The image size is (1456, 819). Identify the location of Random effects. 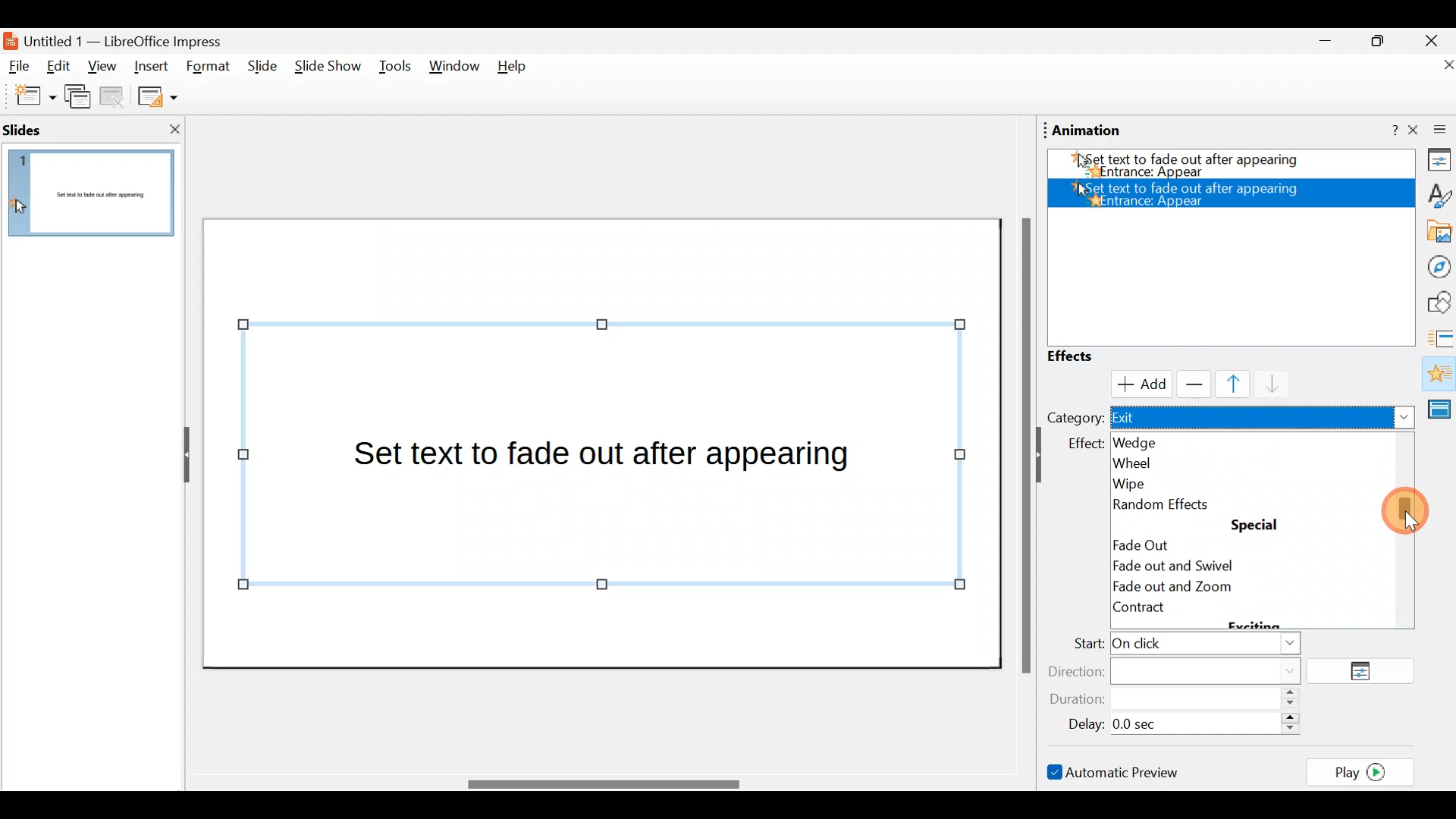
(1169, 504).